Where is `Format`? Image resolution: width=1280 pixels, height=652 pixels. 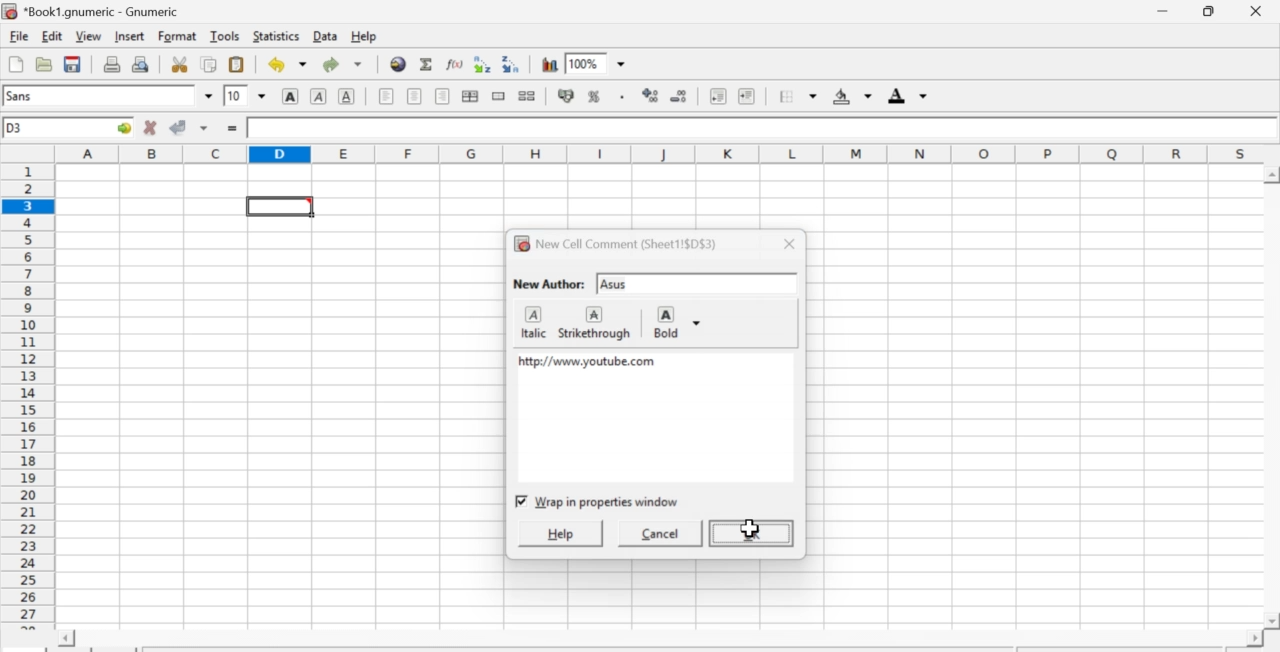
Format is located at coordinates (178, 36).